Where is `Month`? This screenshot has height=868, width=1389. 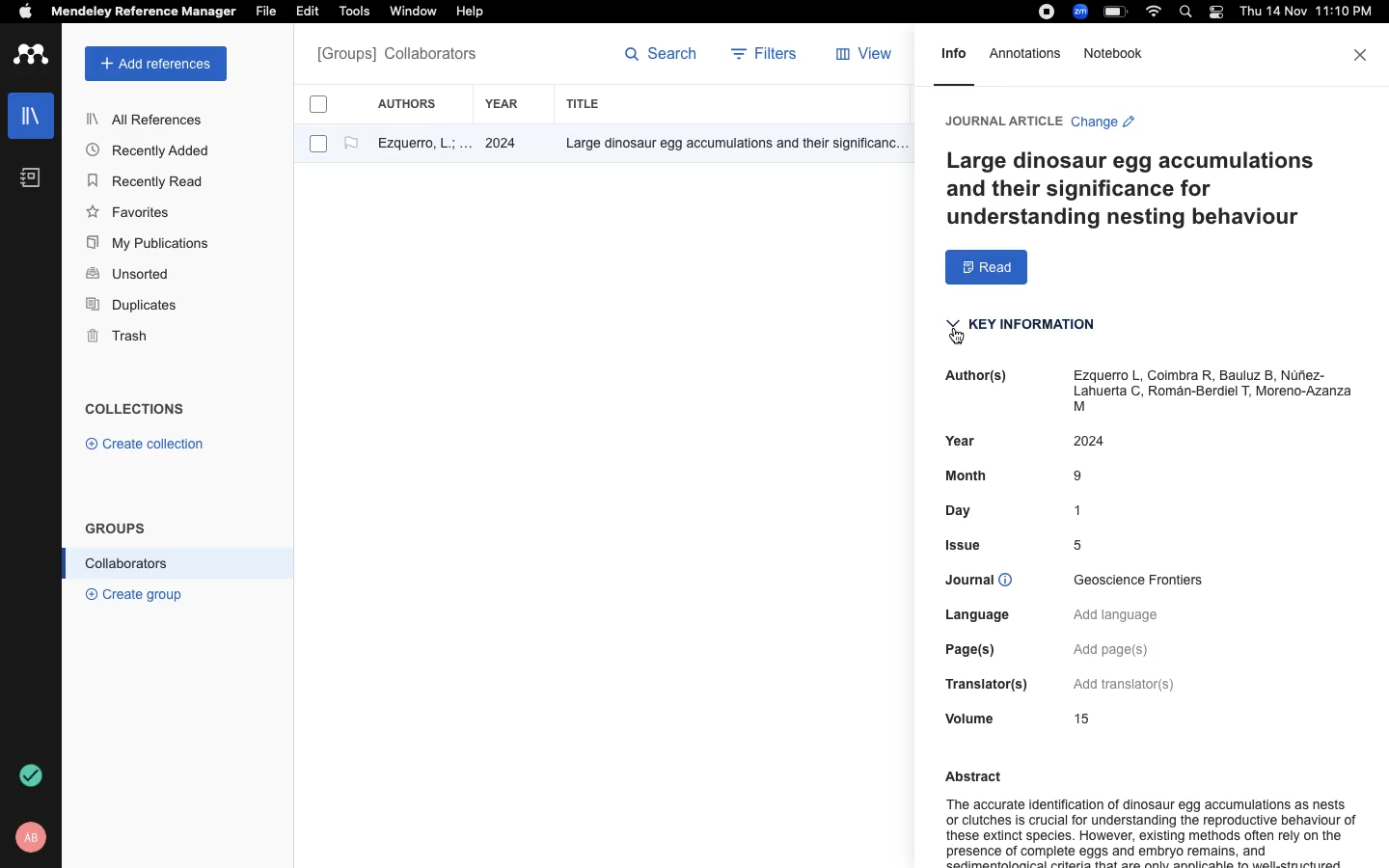 Month is located at coordinates (972, 479).